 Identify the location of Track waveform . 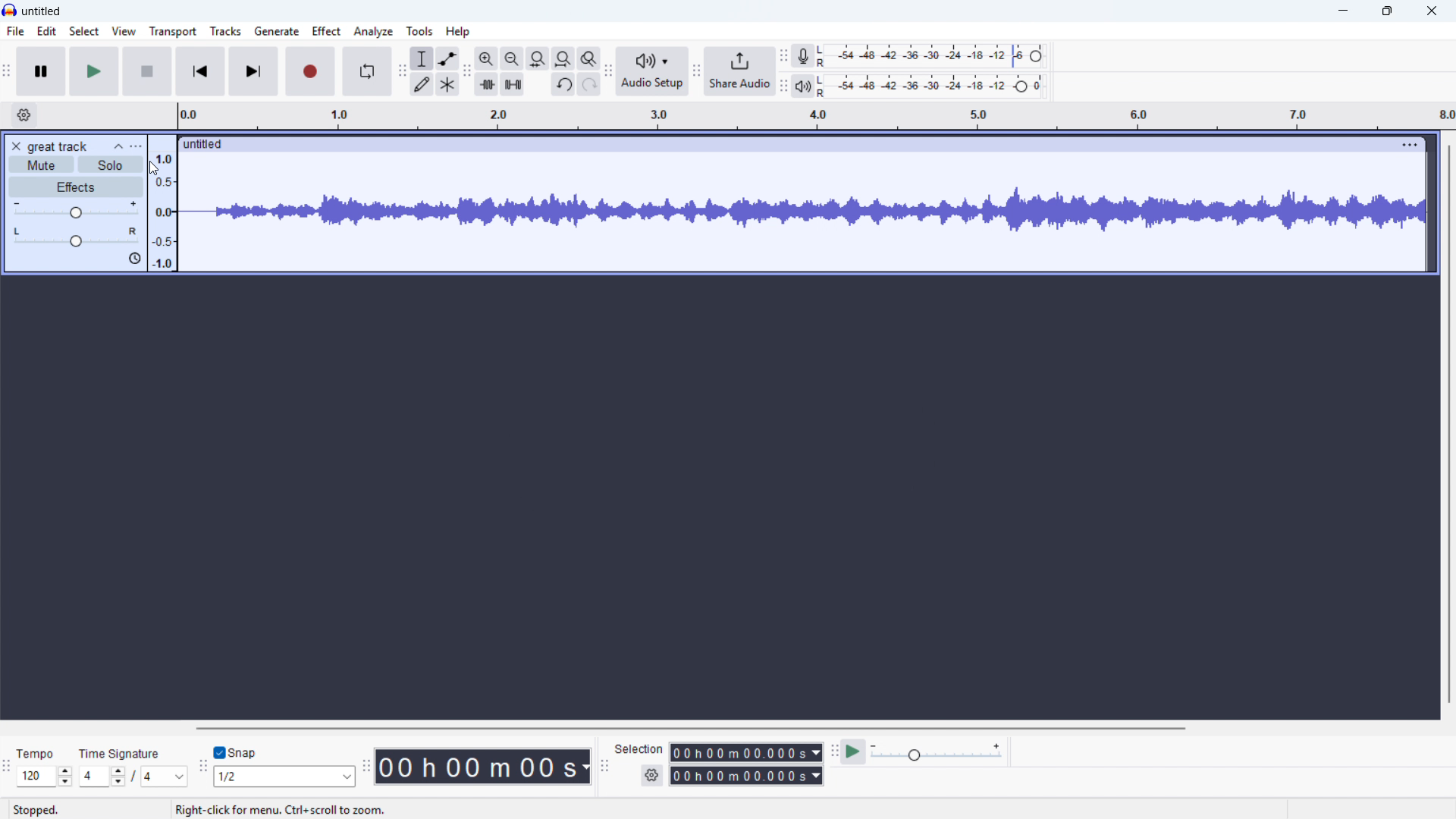
(805, 206).